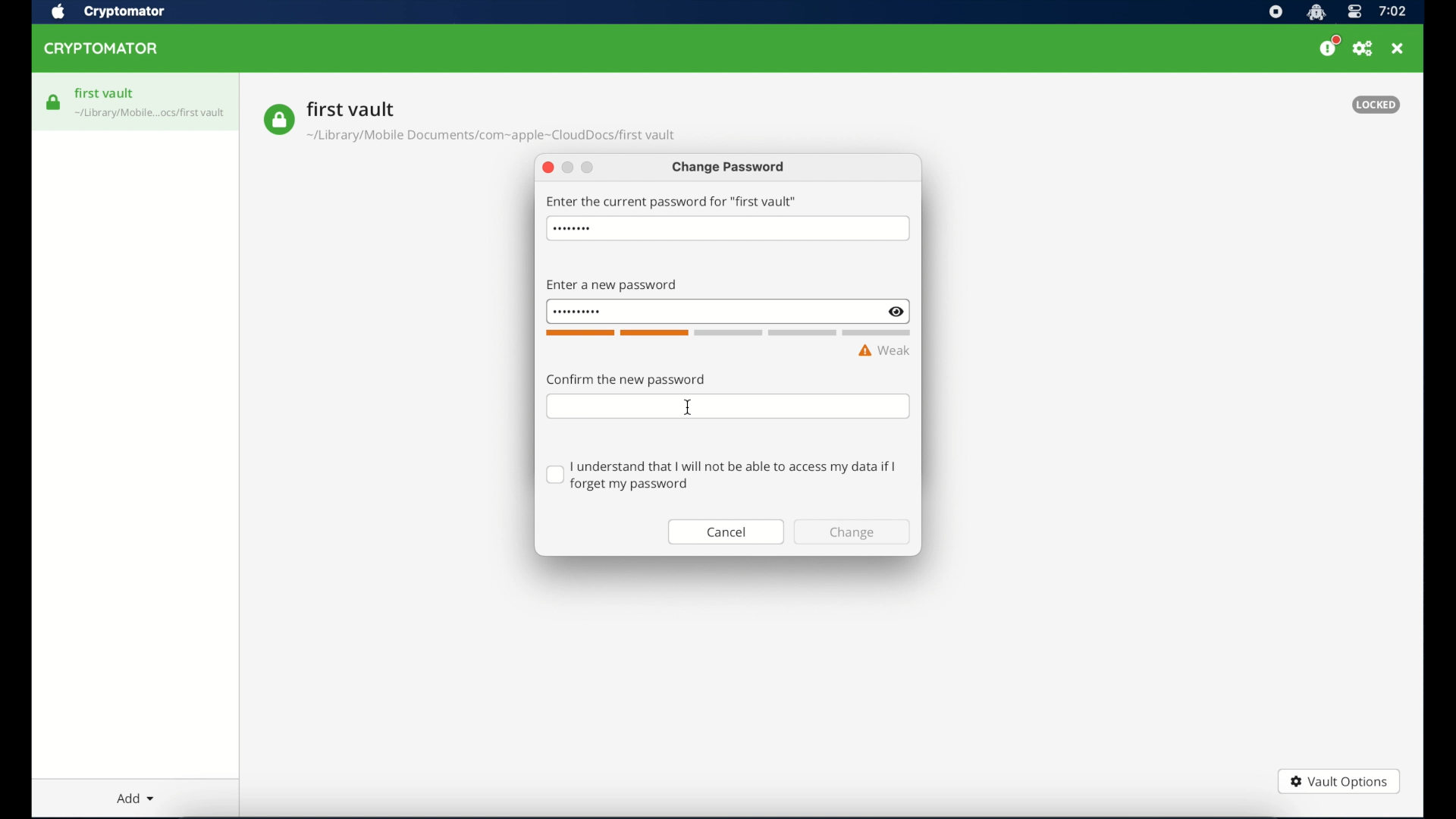  I want to click on checkbox, so click(723, 475).